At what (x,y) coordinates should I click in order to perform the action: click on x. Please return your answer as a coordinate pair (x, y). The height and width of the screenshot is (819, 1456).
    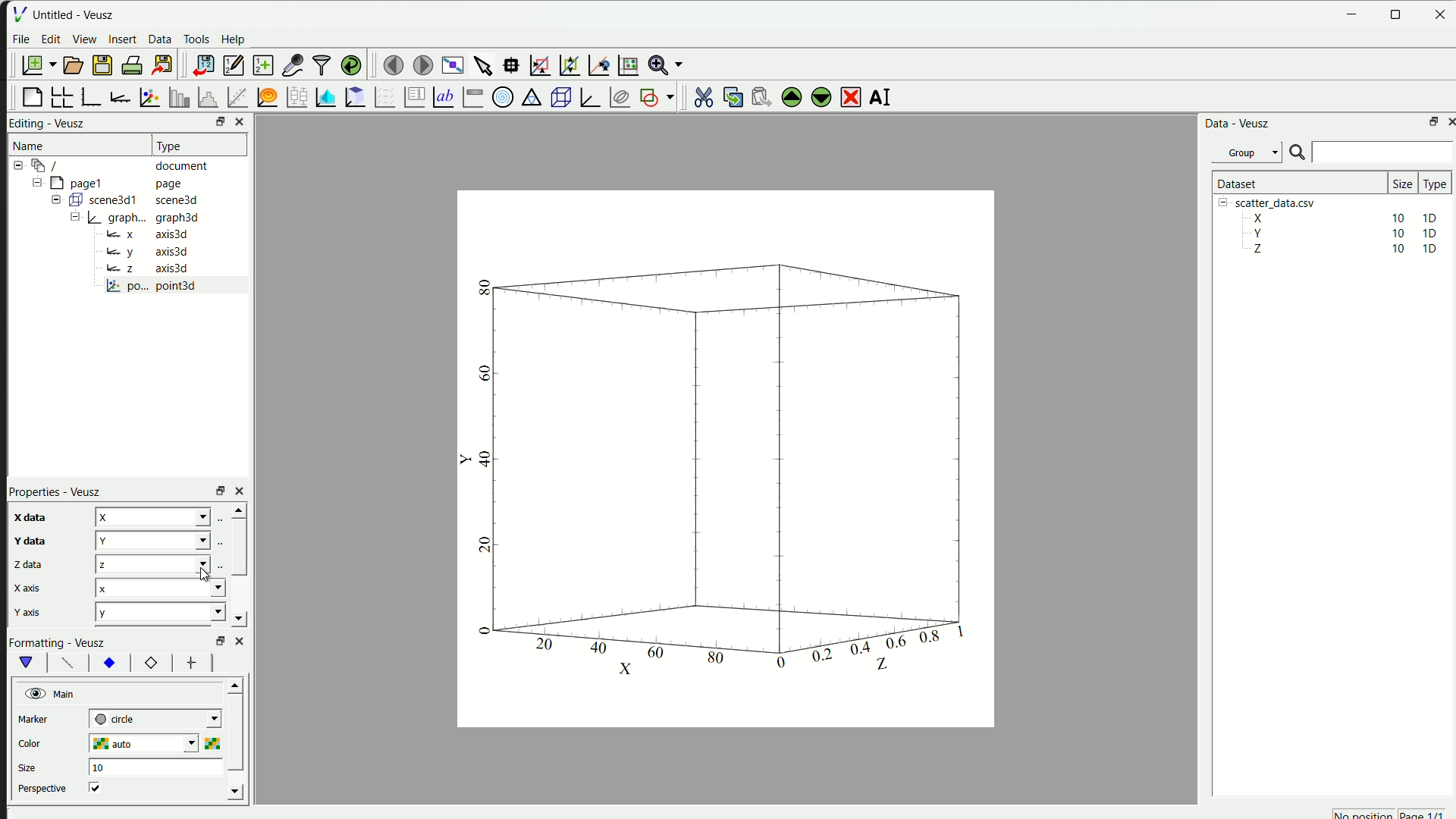
    Looking at the image, I should click on (161, 591).